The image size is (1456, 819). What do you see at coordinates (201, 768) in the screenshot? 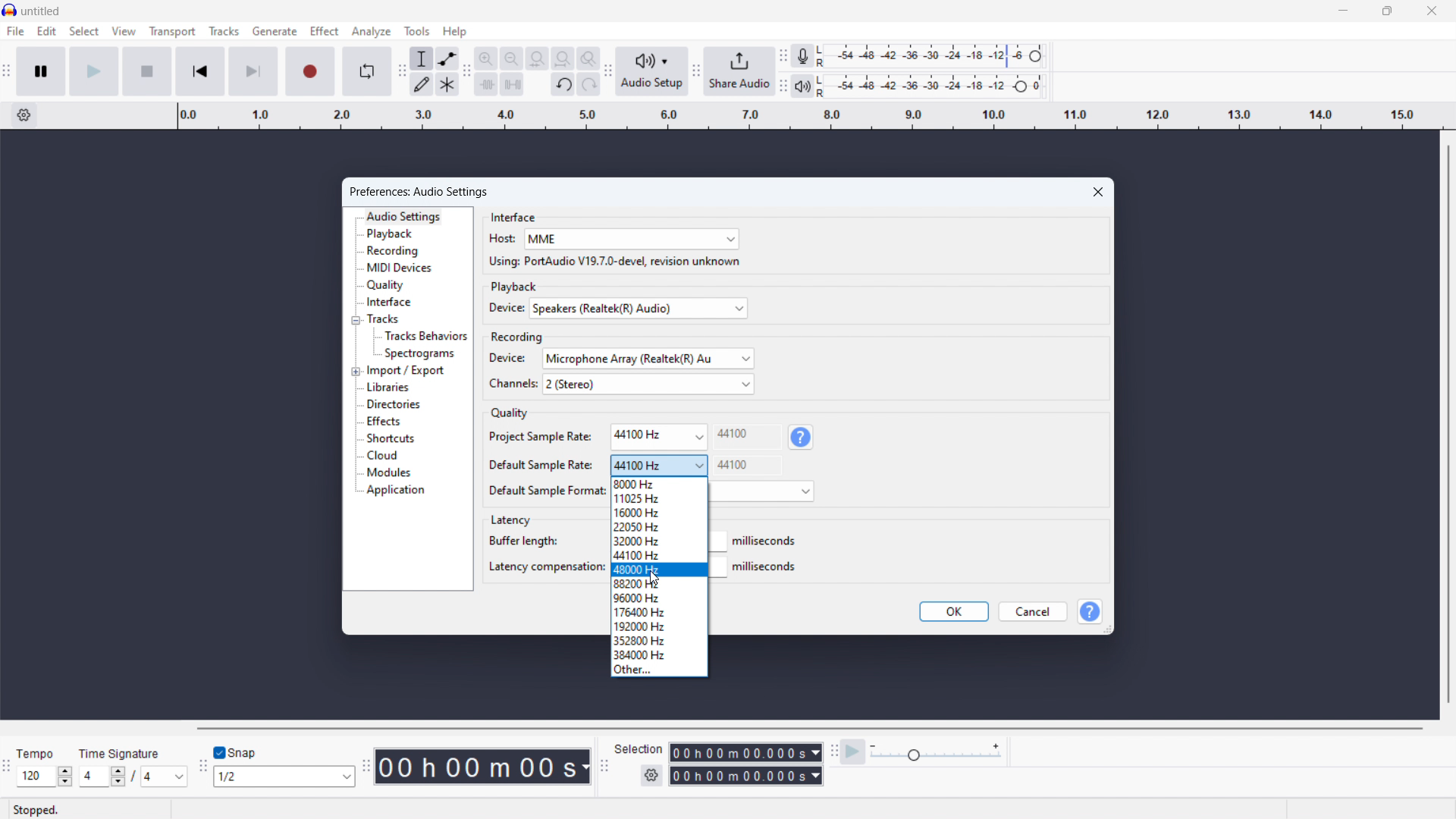
I see `snapping toolbar` at bounding box center [201, 768].